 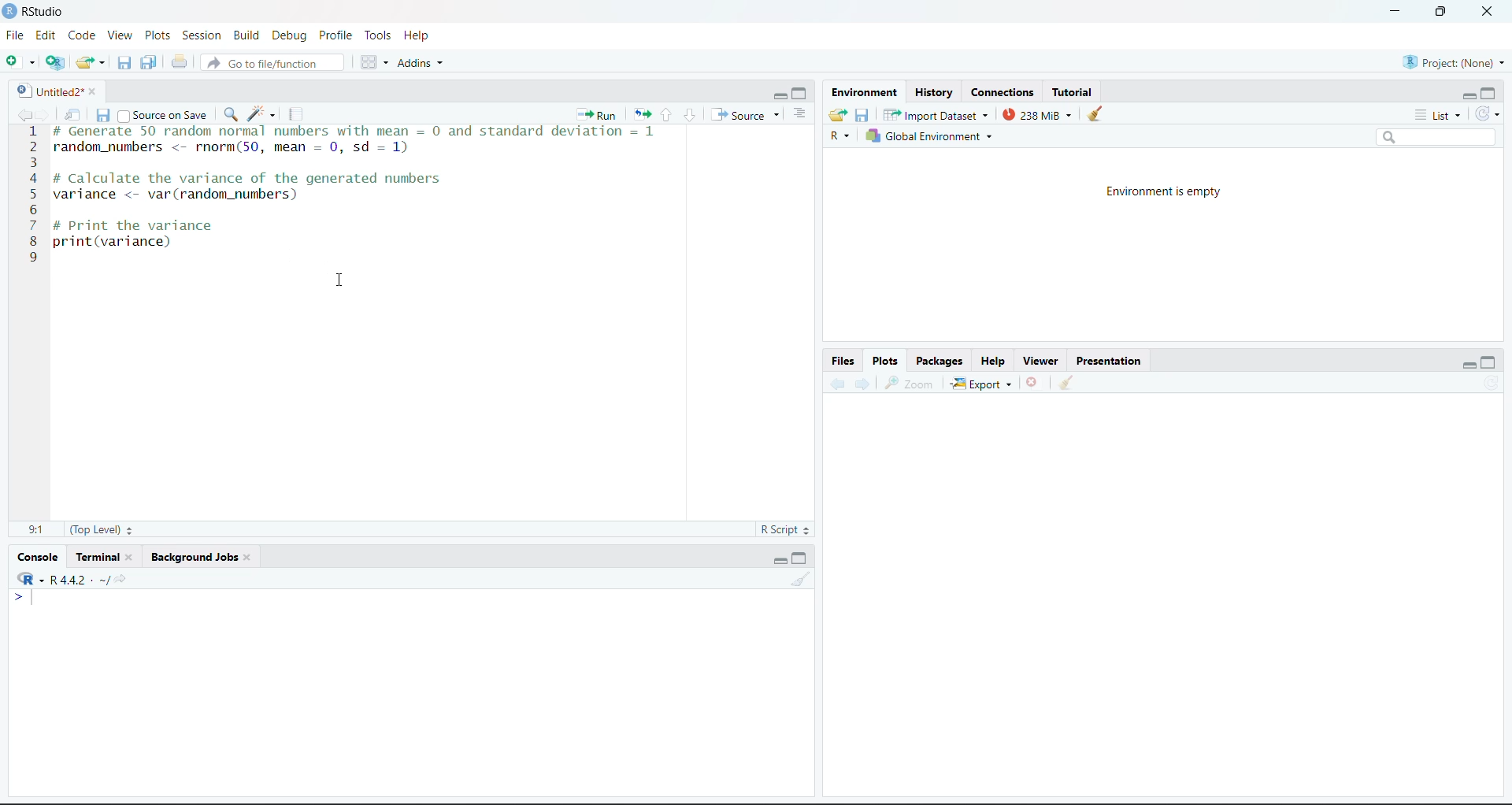 What do you see at coordinates (863, 384) in the screenshot?
I see `forward` at bounding box center [863, 384].